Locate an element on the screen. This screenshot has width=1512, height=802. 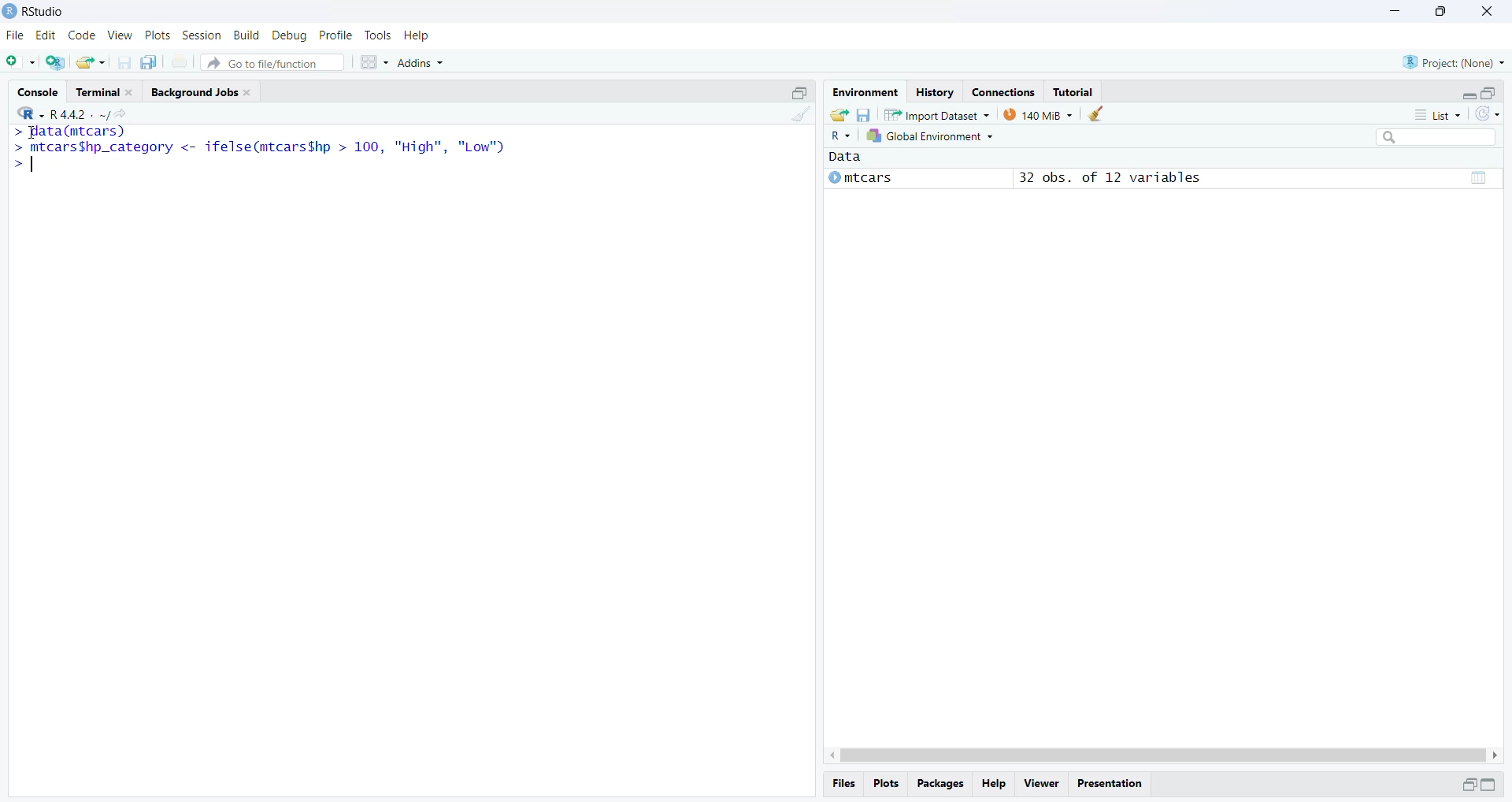
Load workspace is located at coordinates (837, 114).